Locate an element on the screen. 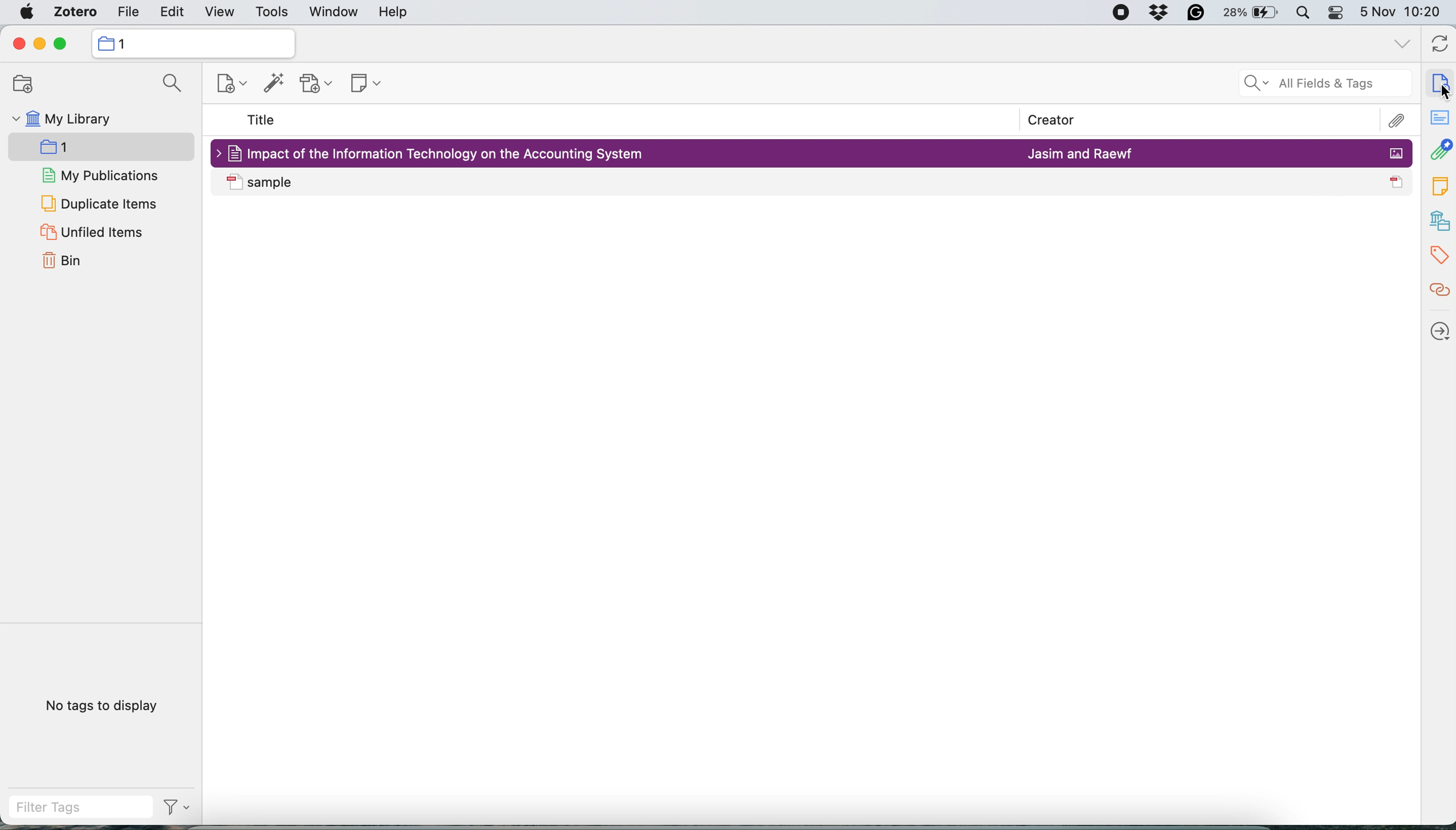  screen recorder is located at coordinates (1123, 12).